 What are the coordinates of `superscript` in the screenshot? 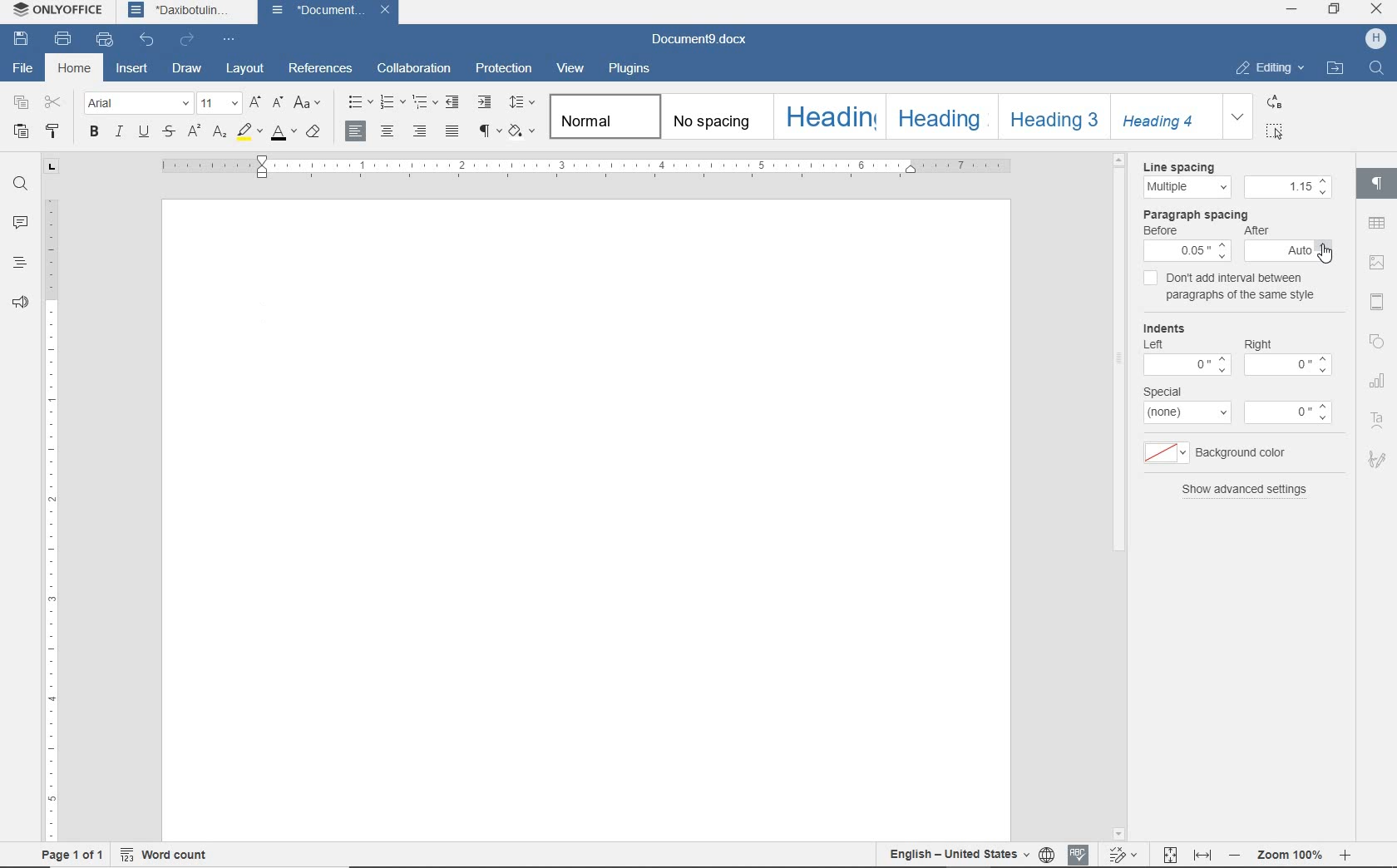 It's located at (195, 133).